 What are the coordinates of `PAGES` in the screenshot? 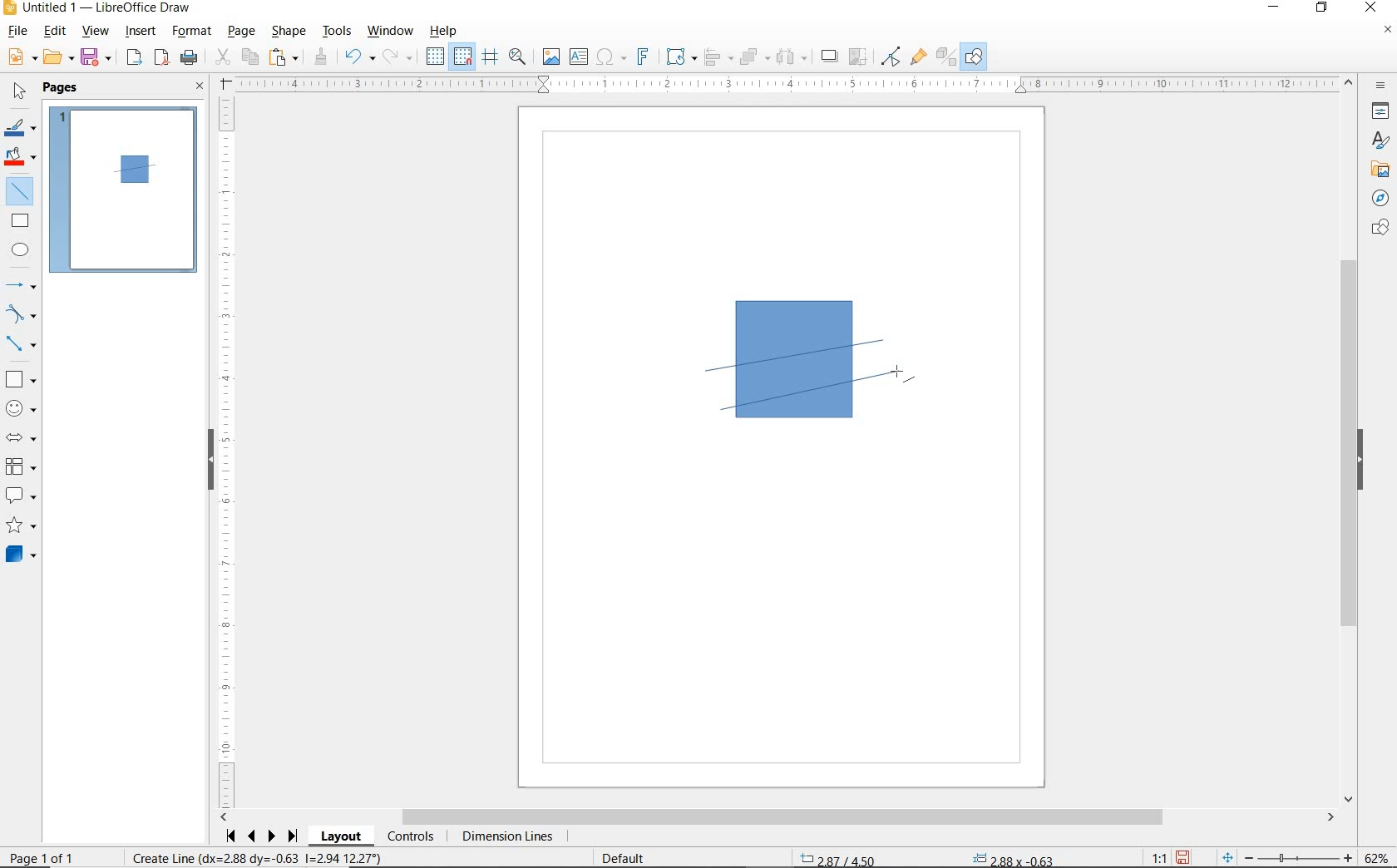 It's located at (62, 89).